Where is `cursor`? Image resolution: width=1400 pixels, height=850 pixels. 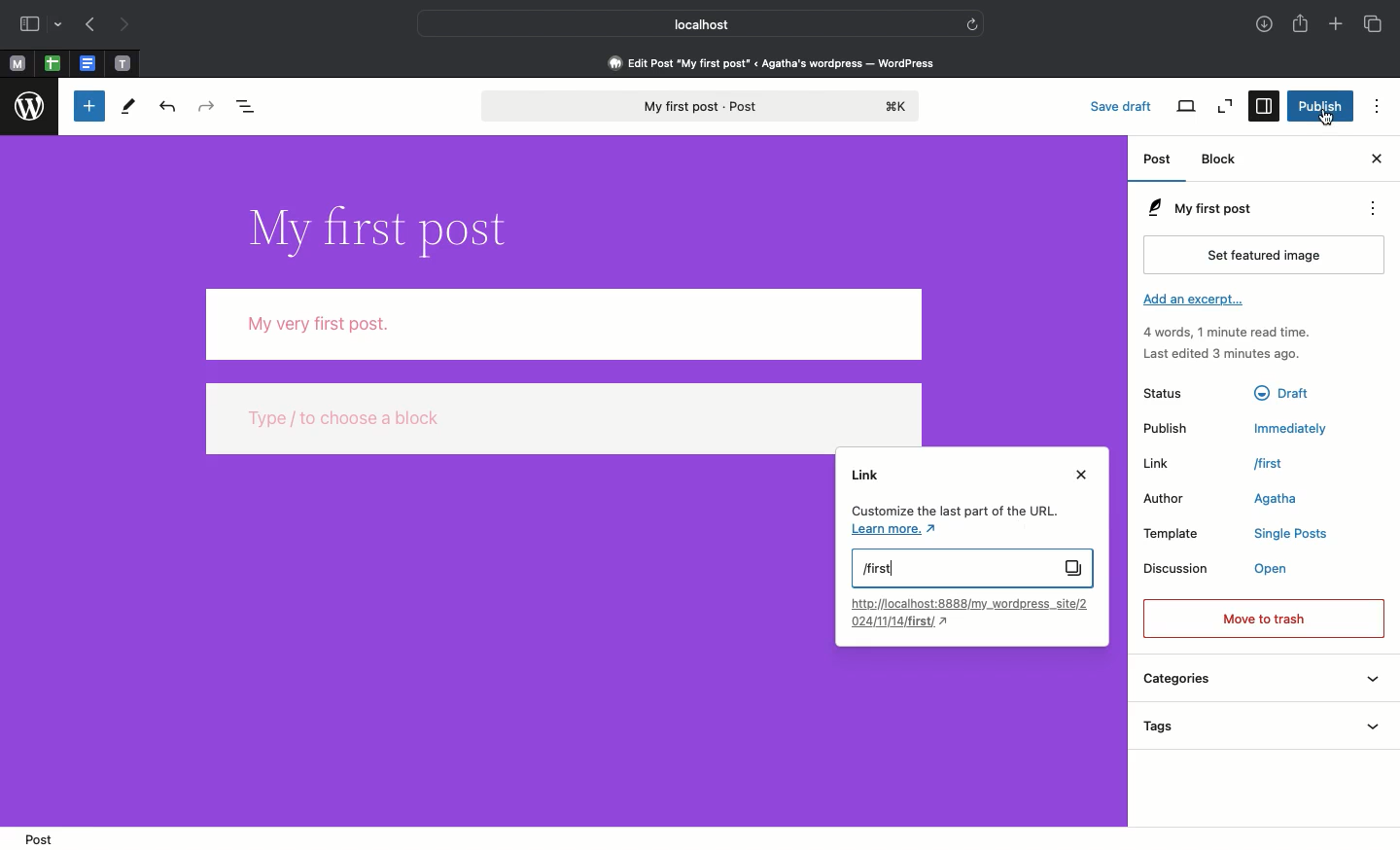
cursor is located at coordinates (1330, 117).